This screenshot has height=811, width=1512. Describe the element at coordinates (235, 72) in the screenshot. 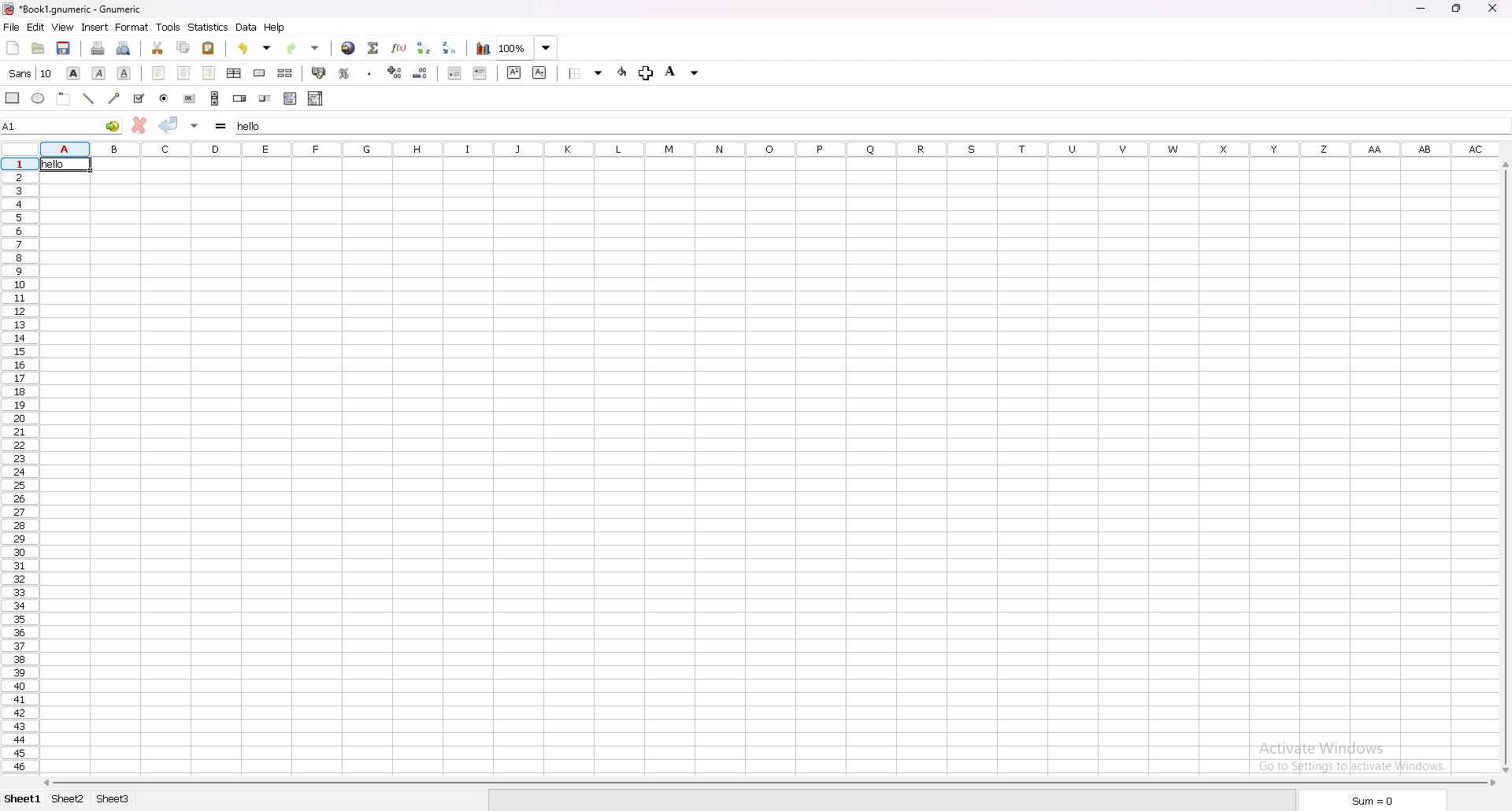

I see `centre horizontally` at that location.